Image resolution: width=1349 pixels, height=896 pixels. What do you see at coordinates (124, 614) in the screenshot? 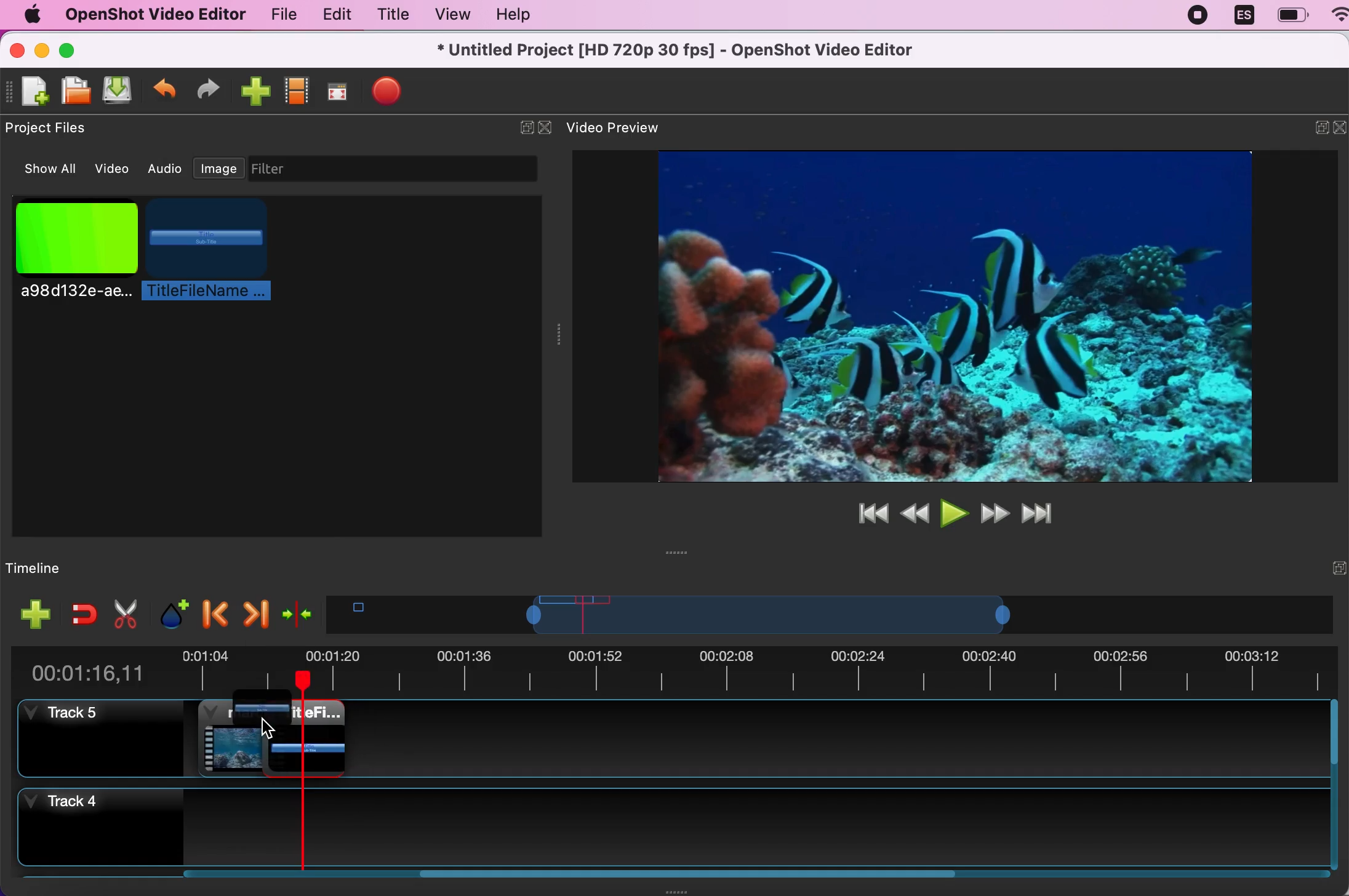
I see `cut` at bounding box center [124, 614].